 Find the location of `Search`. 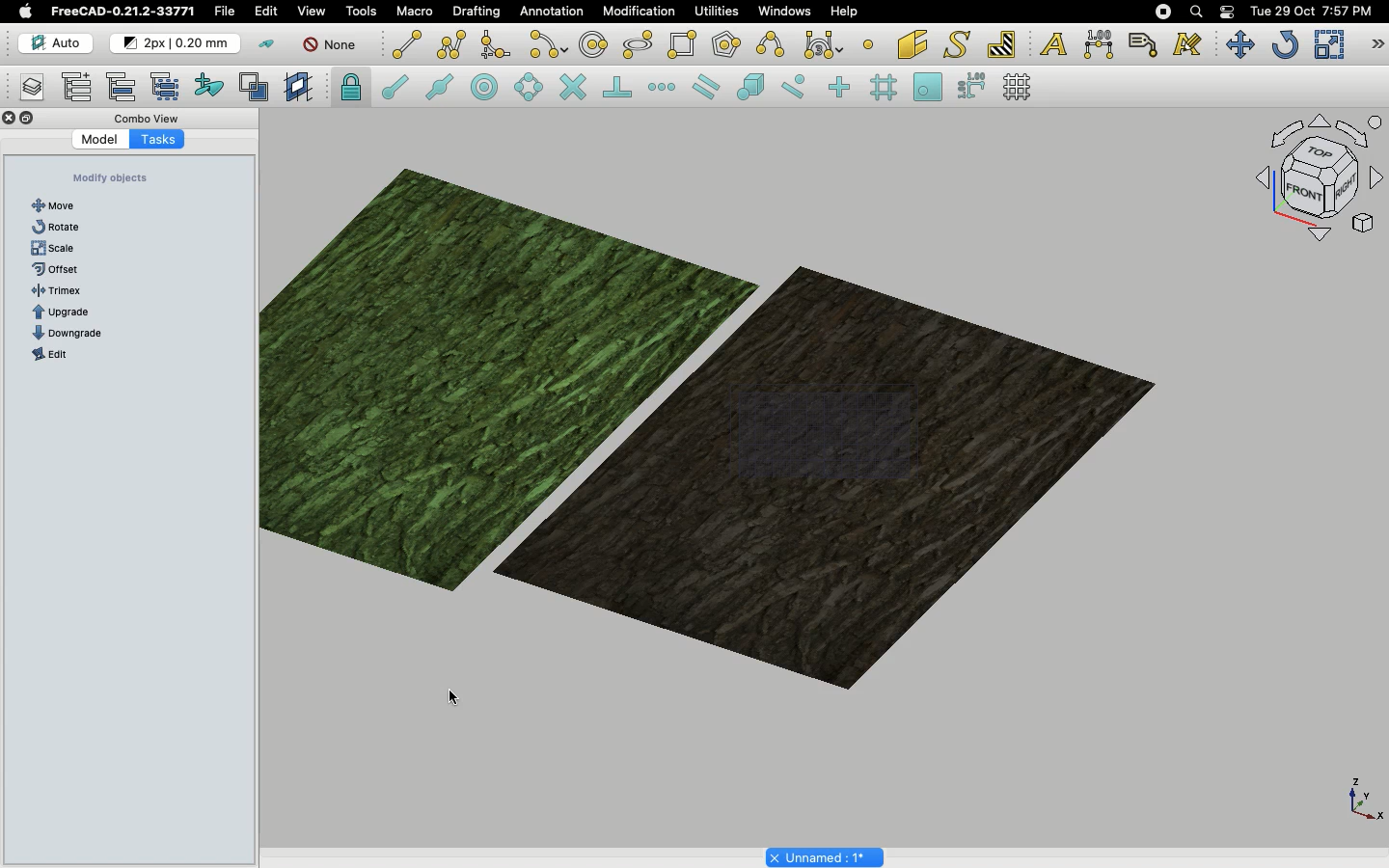

Search is located at coordinates (1195, 12).